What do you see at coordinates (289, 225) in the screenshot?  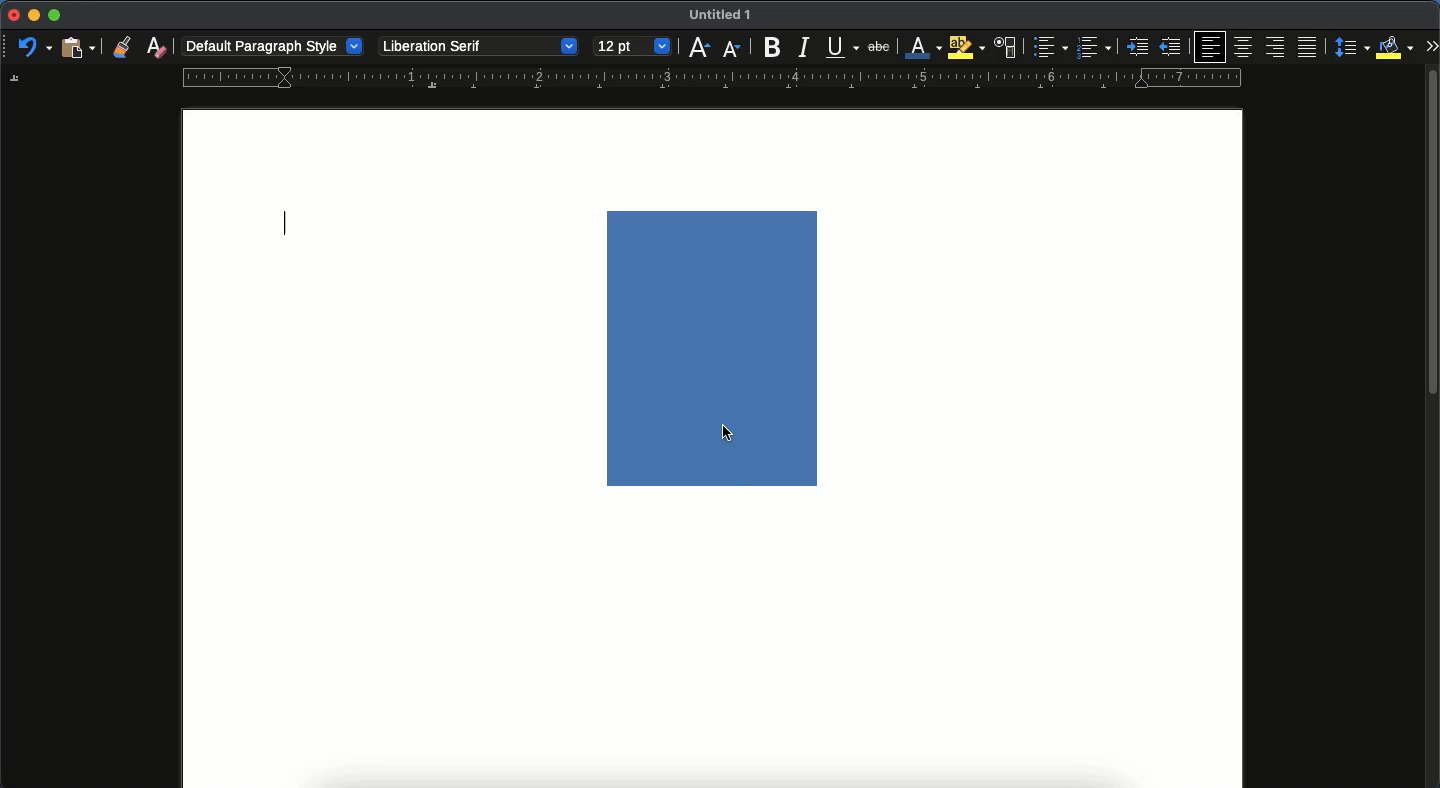 I see `typing` at bounding box center [289, 225].